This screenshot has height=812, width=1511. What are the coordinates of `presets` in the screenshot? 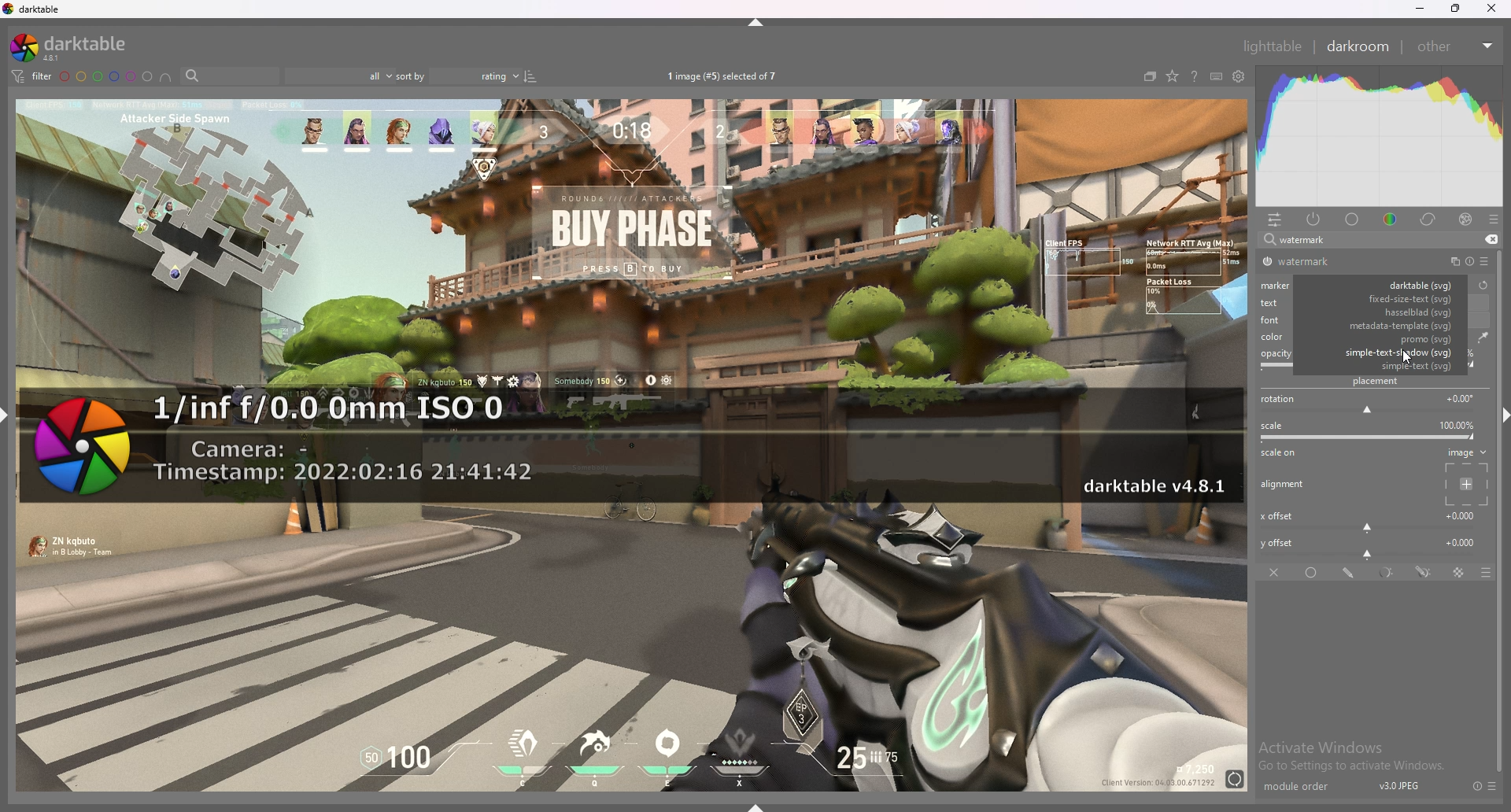 It's located at (1484, 261).